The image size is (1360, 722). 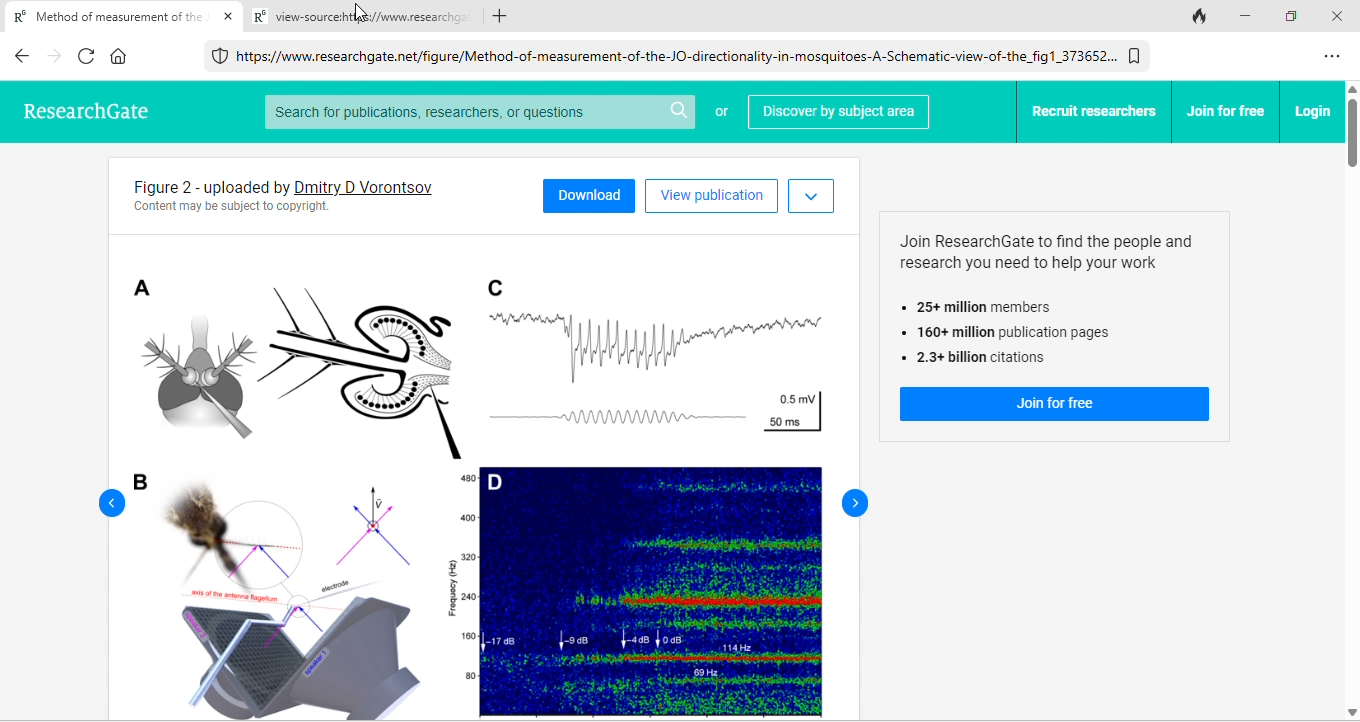 What do you see at coordinates (720, 116) in the screenshot?
I see `or` at bounding box center [720, 116].